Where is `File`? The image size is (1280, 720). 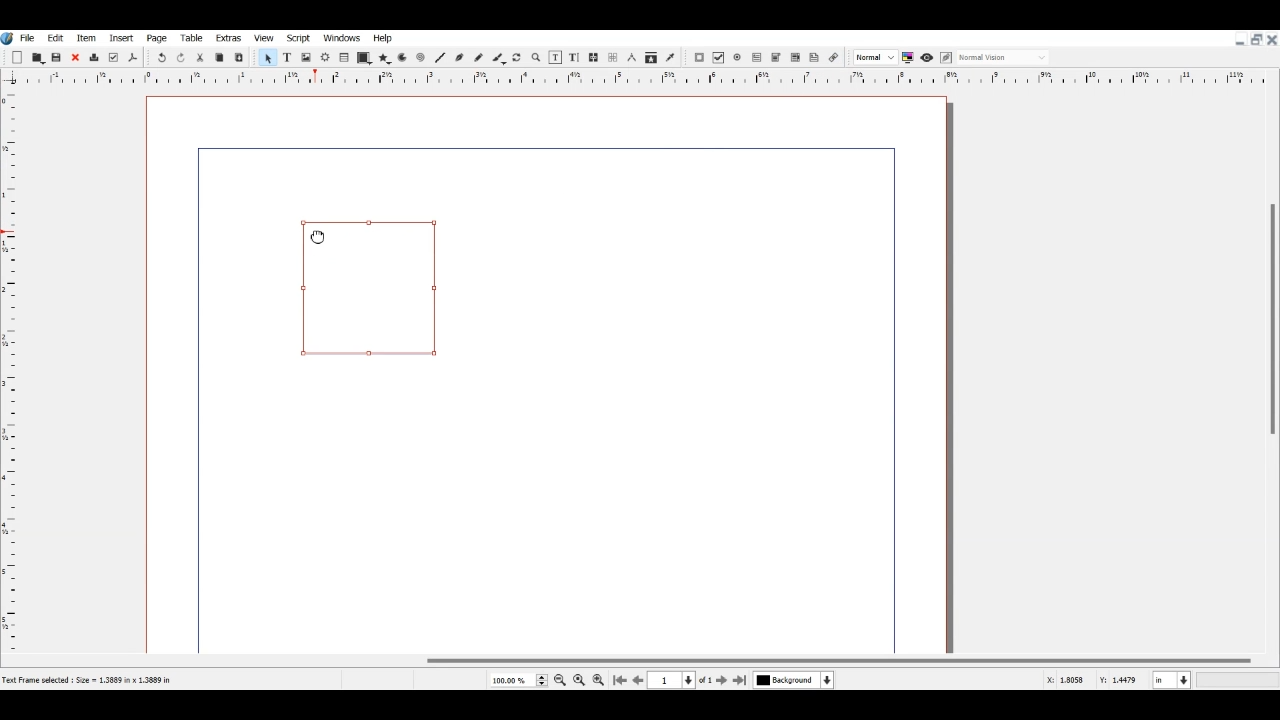
File is located at coordinates (29, 37).